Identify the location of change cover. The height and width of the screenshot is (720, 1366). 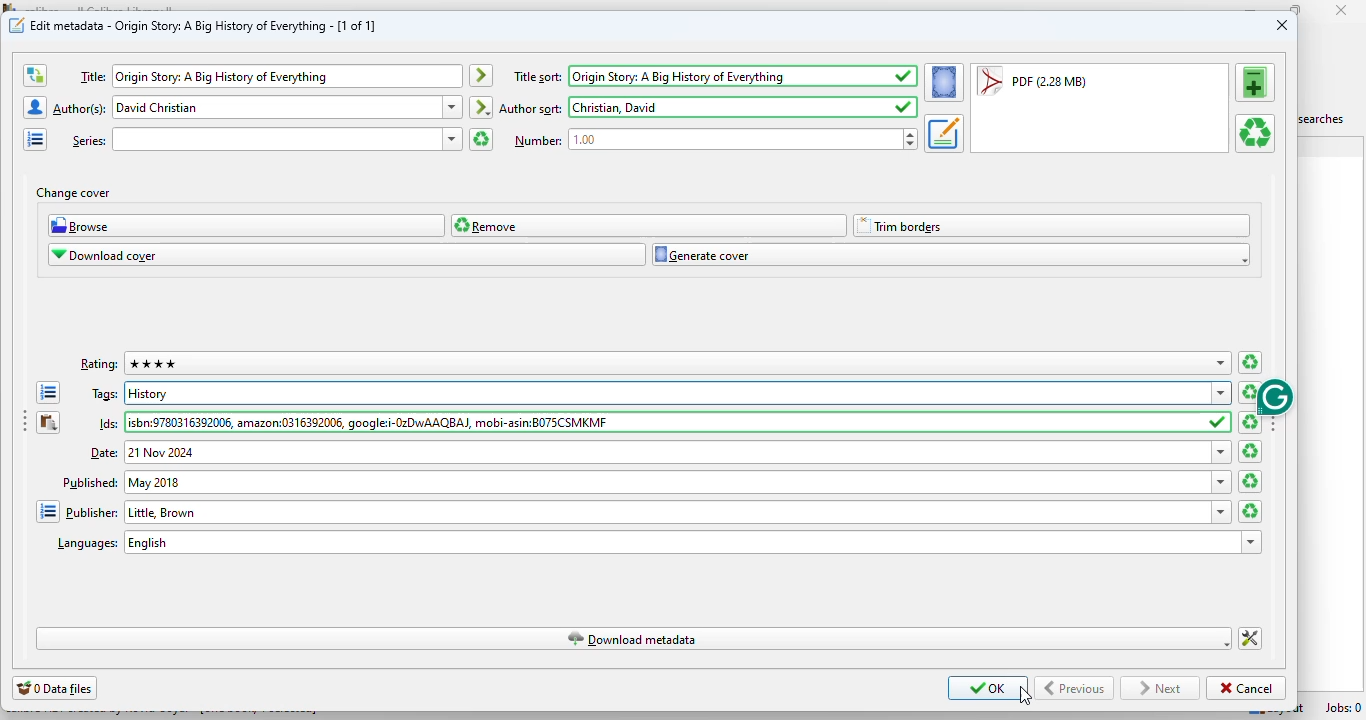
(73, 193).